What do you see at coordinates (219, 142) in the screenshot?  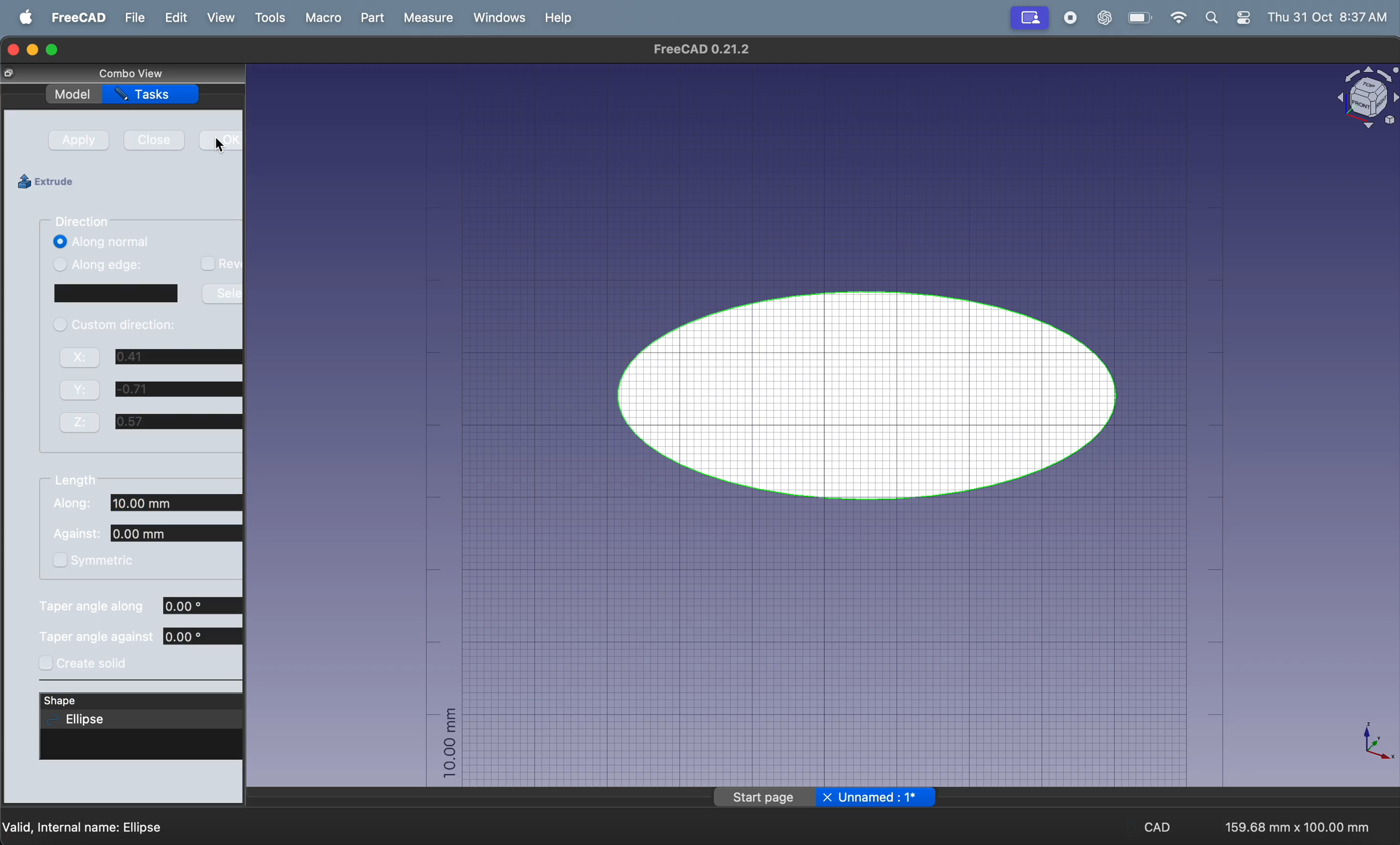 I see `ok` at bounding box center [219, 142].